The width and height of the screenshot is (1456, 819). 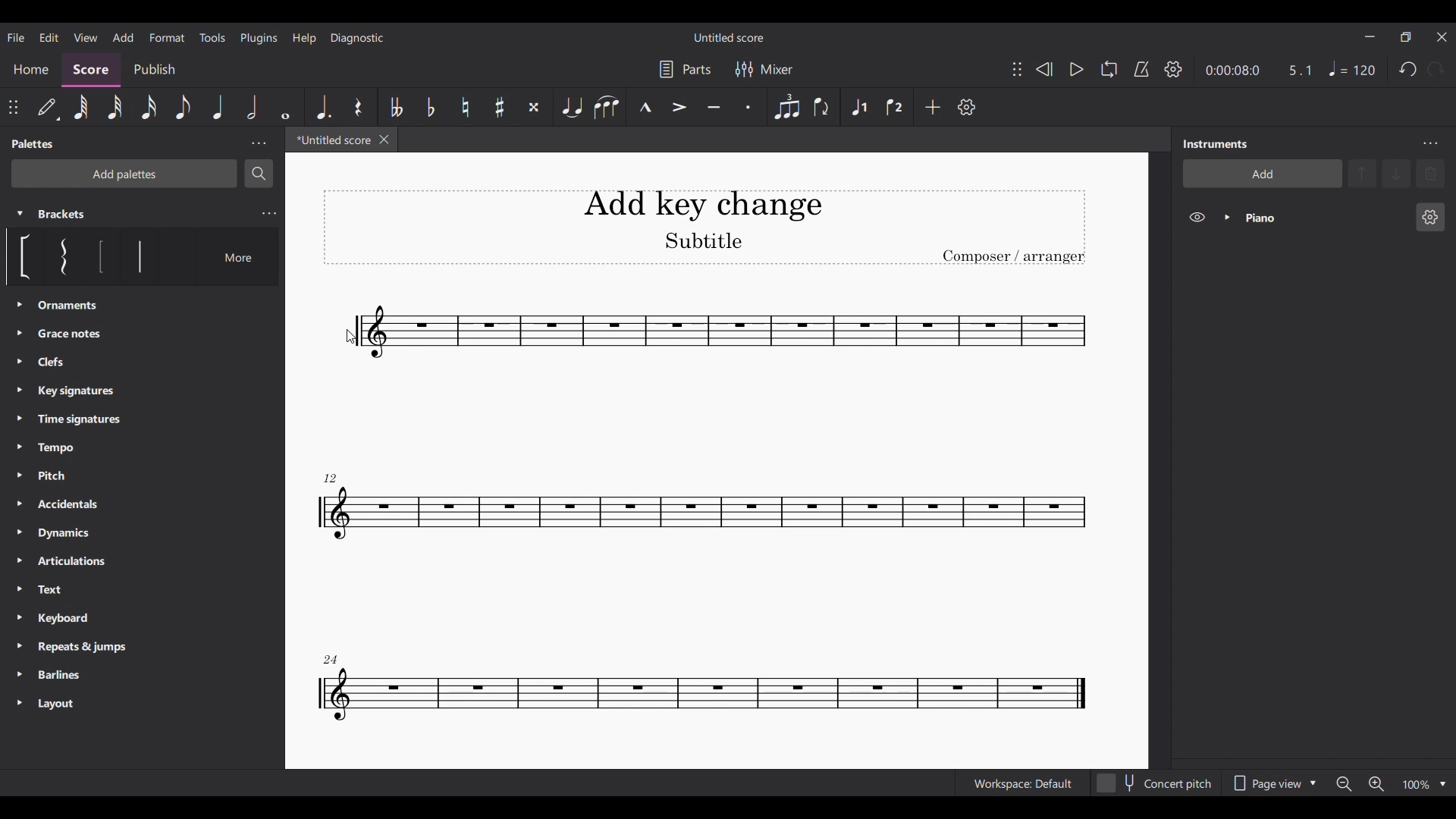 What do you see at coordinates (1431, 174) in the screenshot?
I see `Delete selection` at bounding box center [1431, 174].